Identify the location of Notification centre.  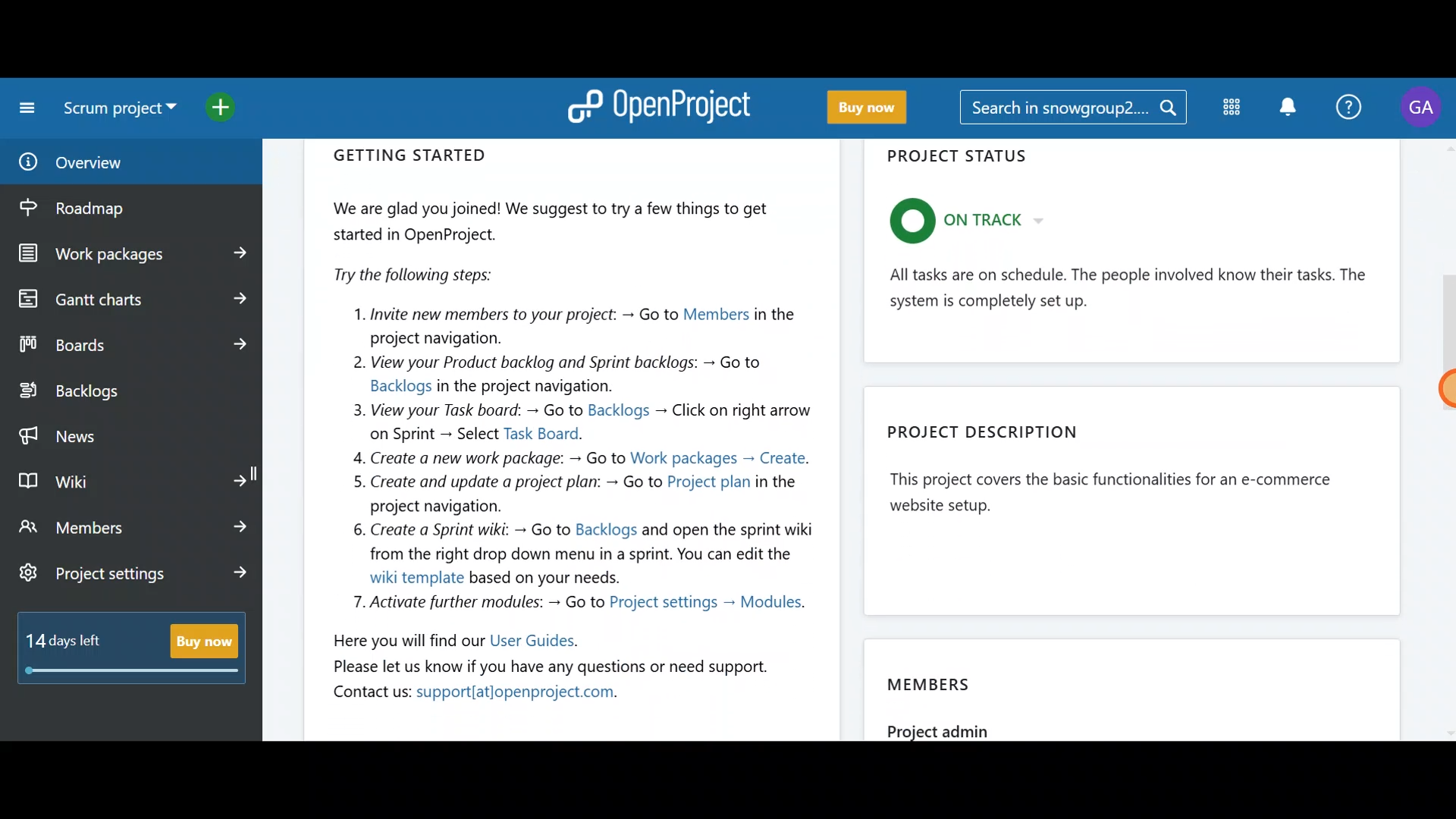
(1284, 106).